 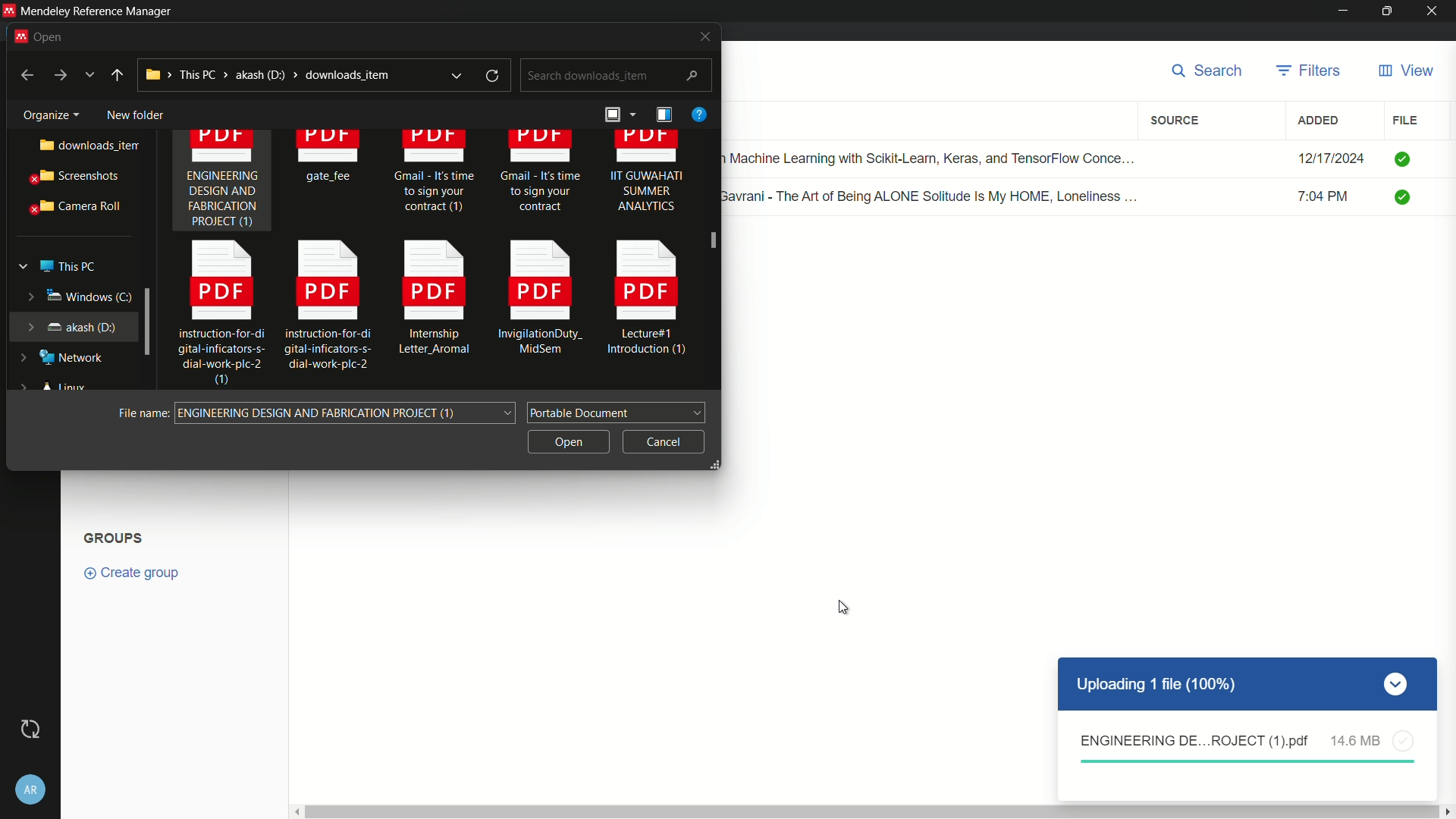 I want to click on windows (c:), so click(x=68, y=296).